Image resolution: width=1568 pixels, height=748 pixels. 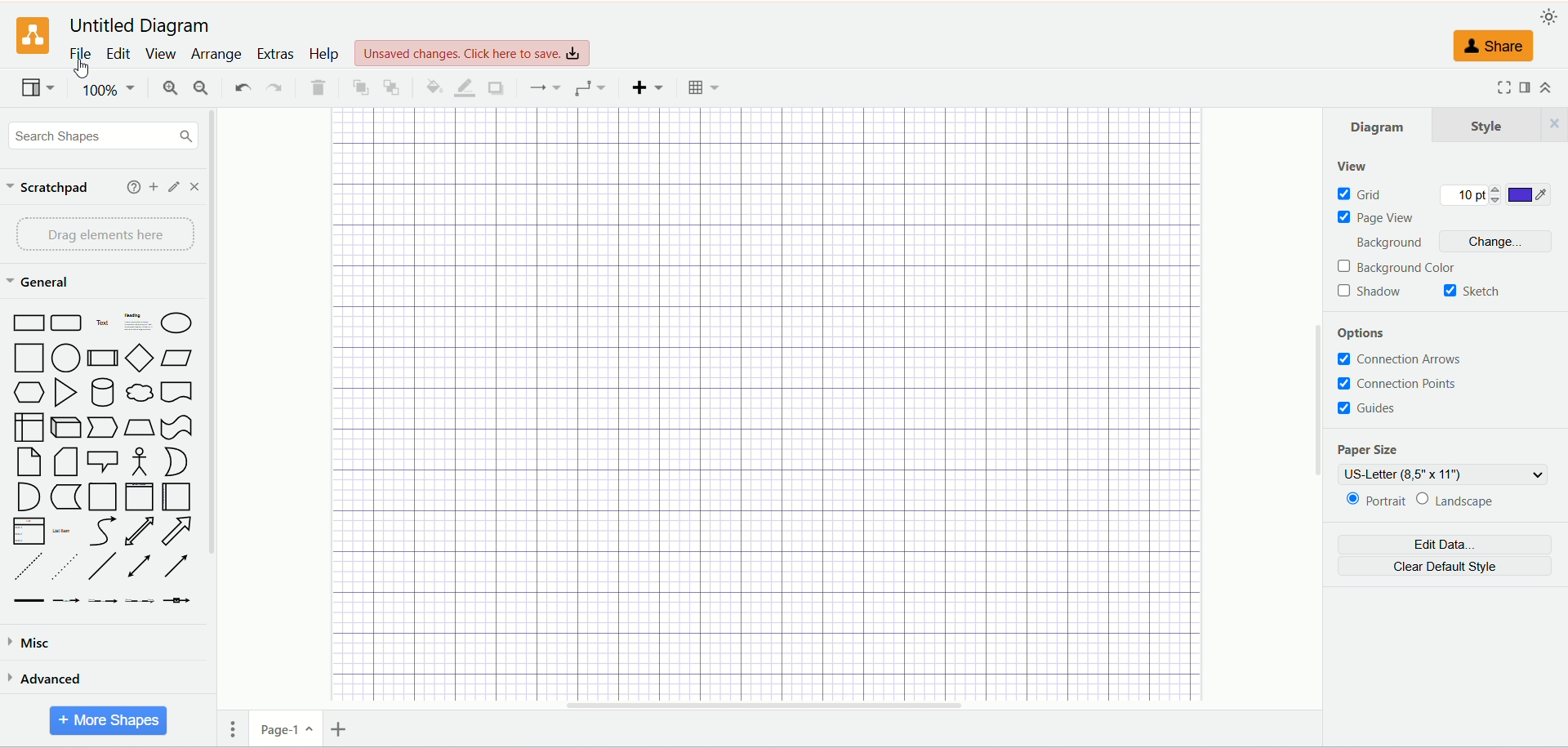 What do you see at coordinates (318, 88) in the screenshot?
I see `delete` at bounding box center [318, 88].